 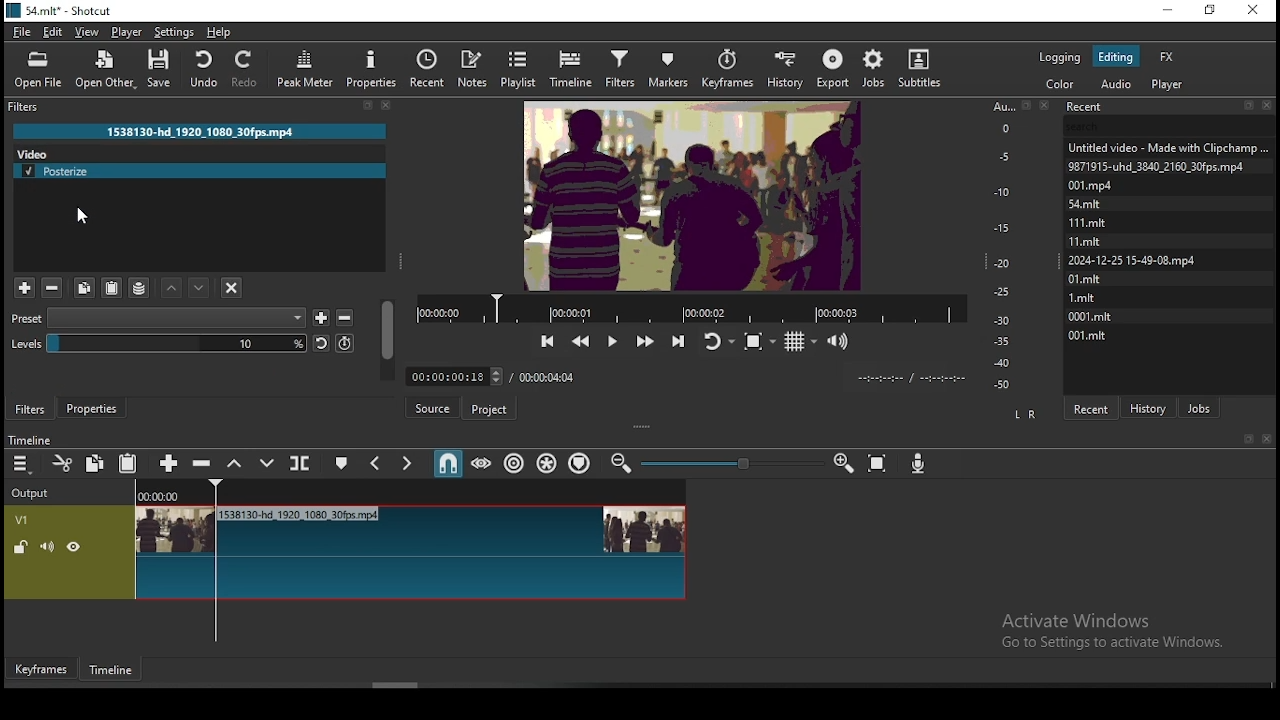 I want to click on video, so click(x=34, y=152).